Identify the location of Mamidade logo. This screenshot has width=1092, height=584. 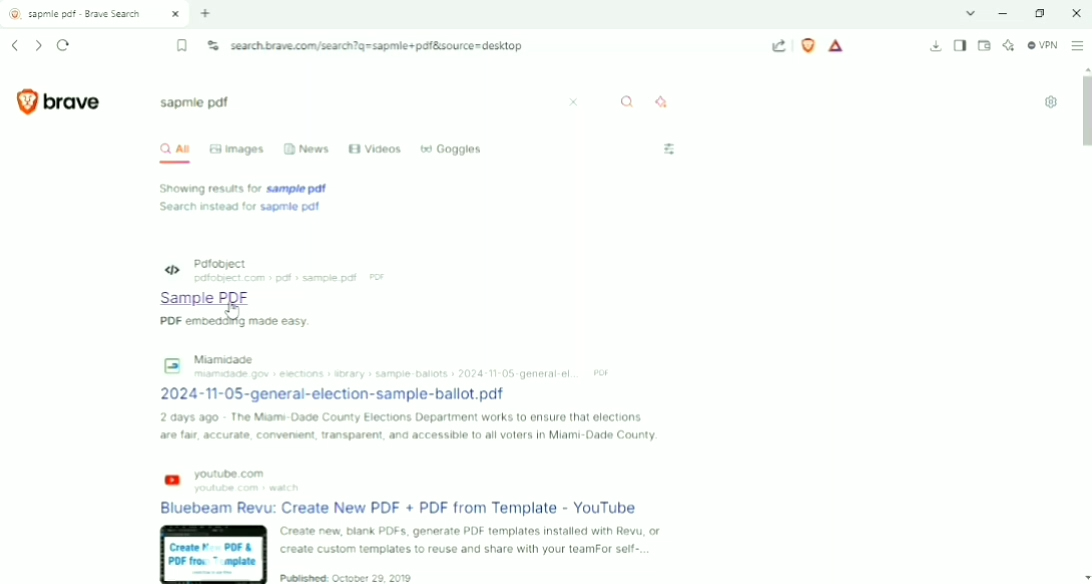
(170, 363).